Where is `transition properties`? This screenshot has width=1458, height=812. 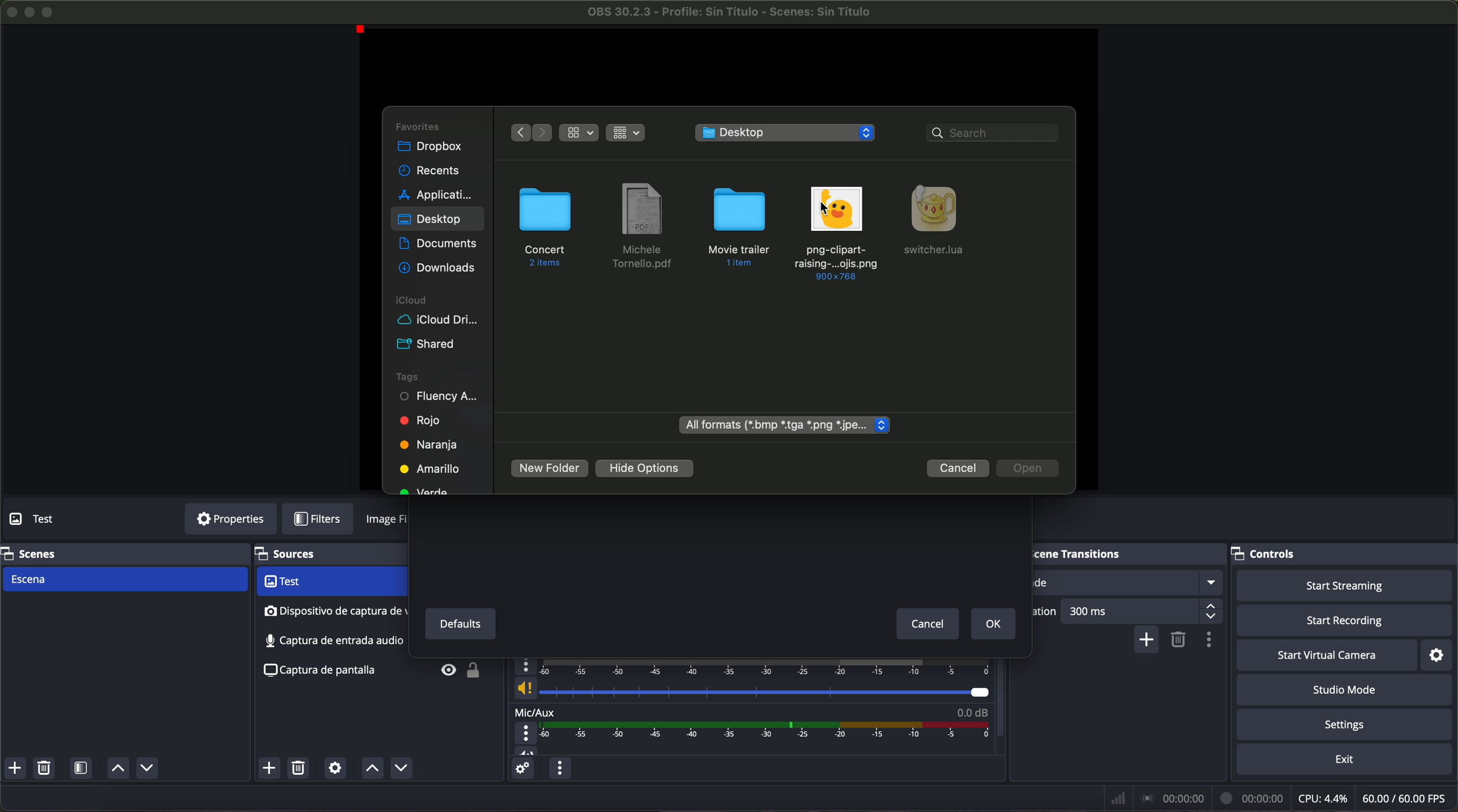
transition properties is located at coordinates (1212, 641).